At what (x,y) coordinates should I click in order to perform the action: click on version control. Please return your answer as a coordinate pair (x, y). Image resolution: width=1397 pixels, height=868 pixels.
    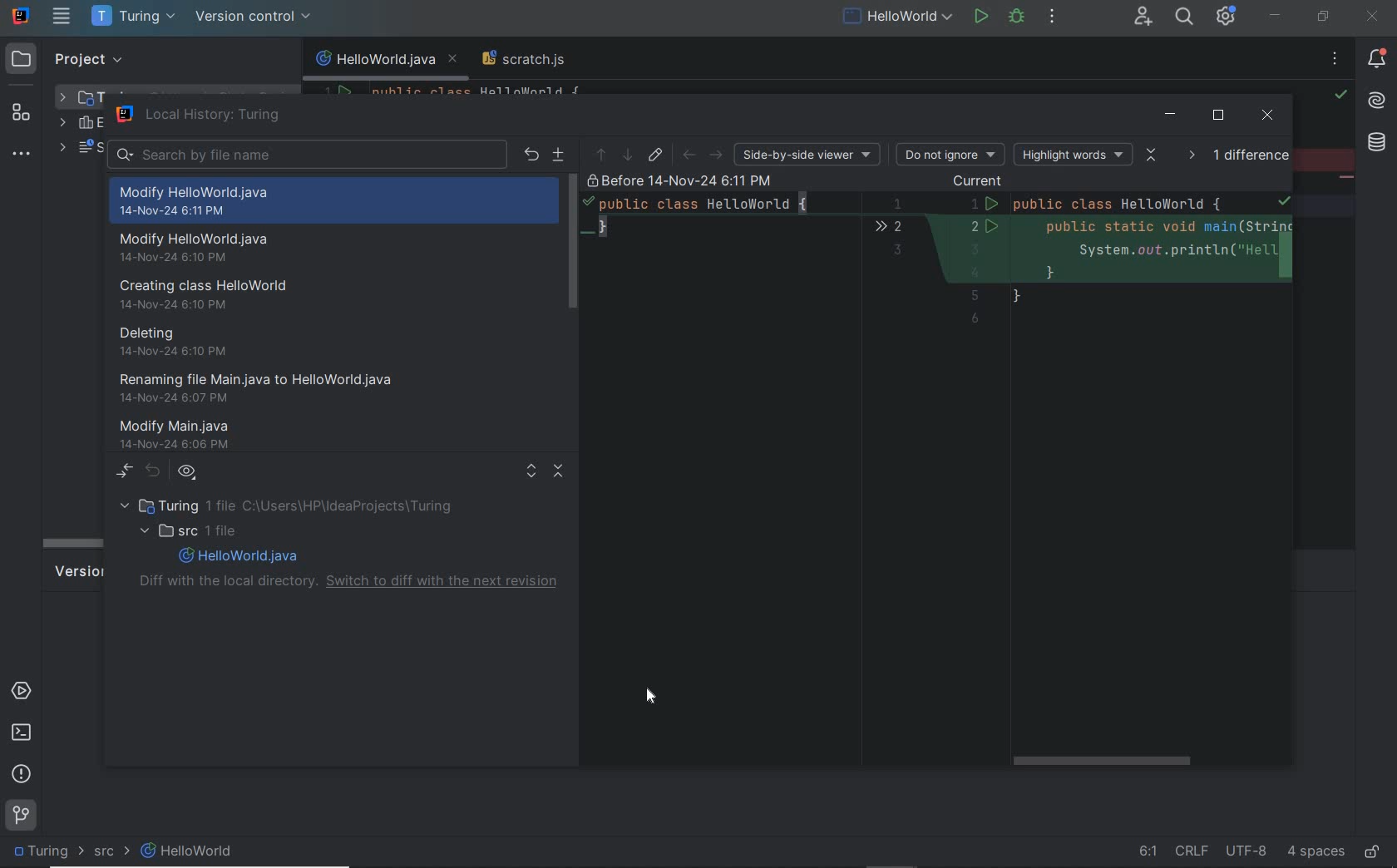
    Looking at the image, I should click on (254, 18).